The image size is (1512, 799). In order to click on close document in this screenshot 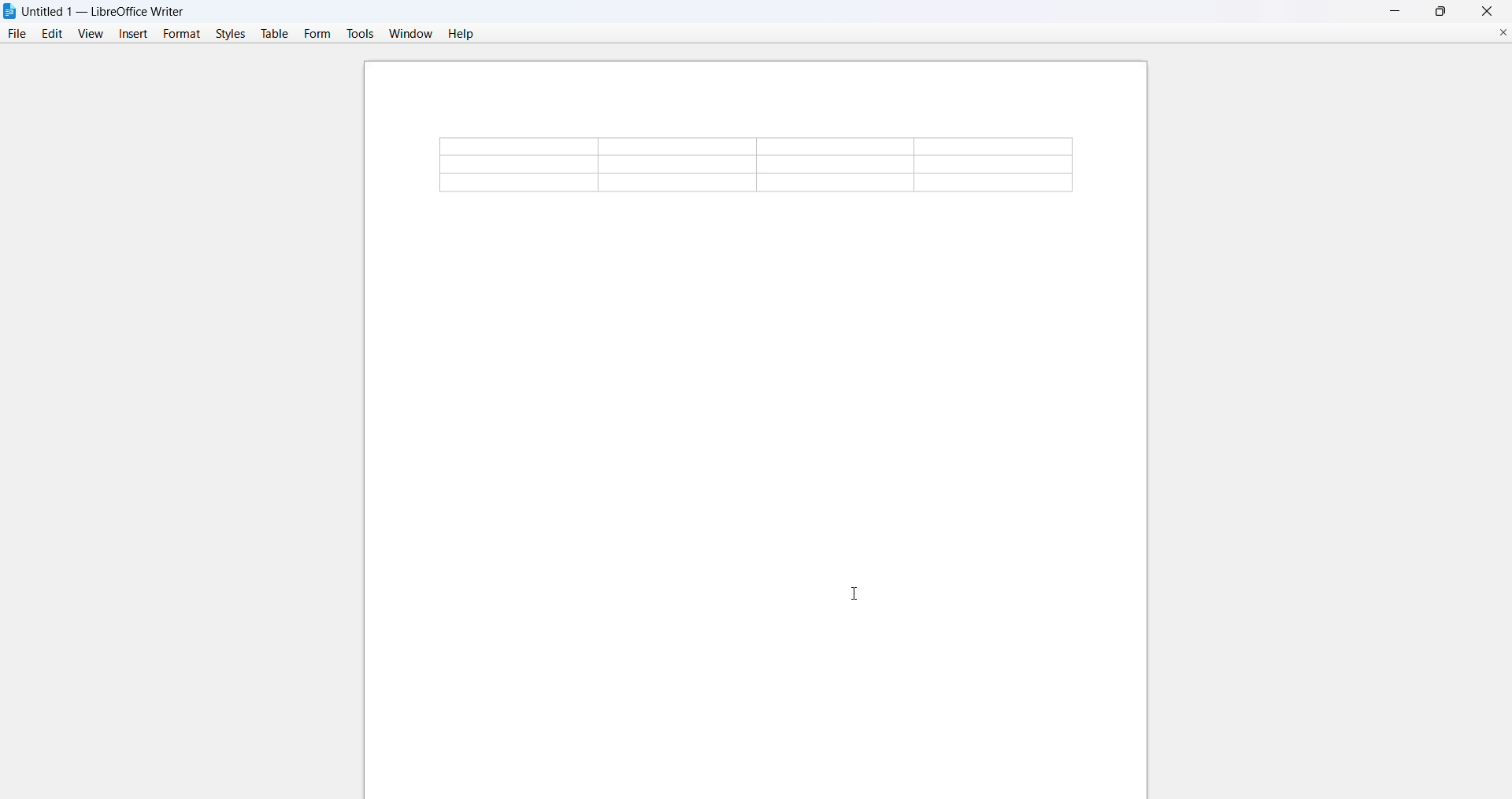, I will do `click(1496, 31)`.